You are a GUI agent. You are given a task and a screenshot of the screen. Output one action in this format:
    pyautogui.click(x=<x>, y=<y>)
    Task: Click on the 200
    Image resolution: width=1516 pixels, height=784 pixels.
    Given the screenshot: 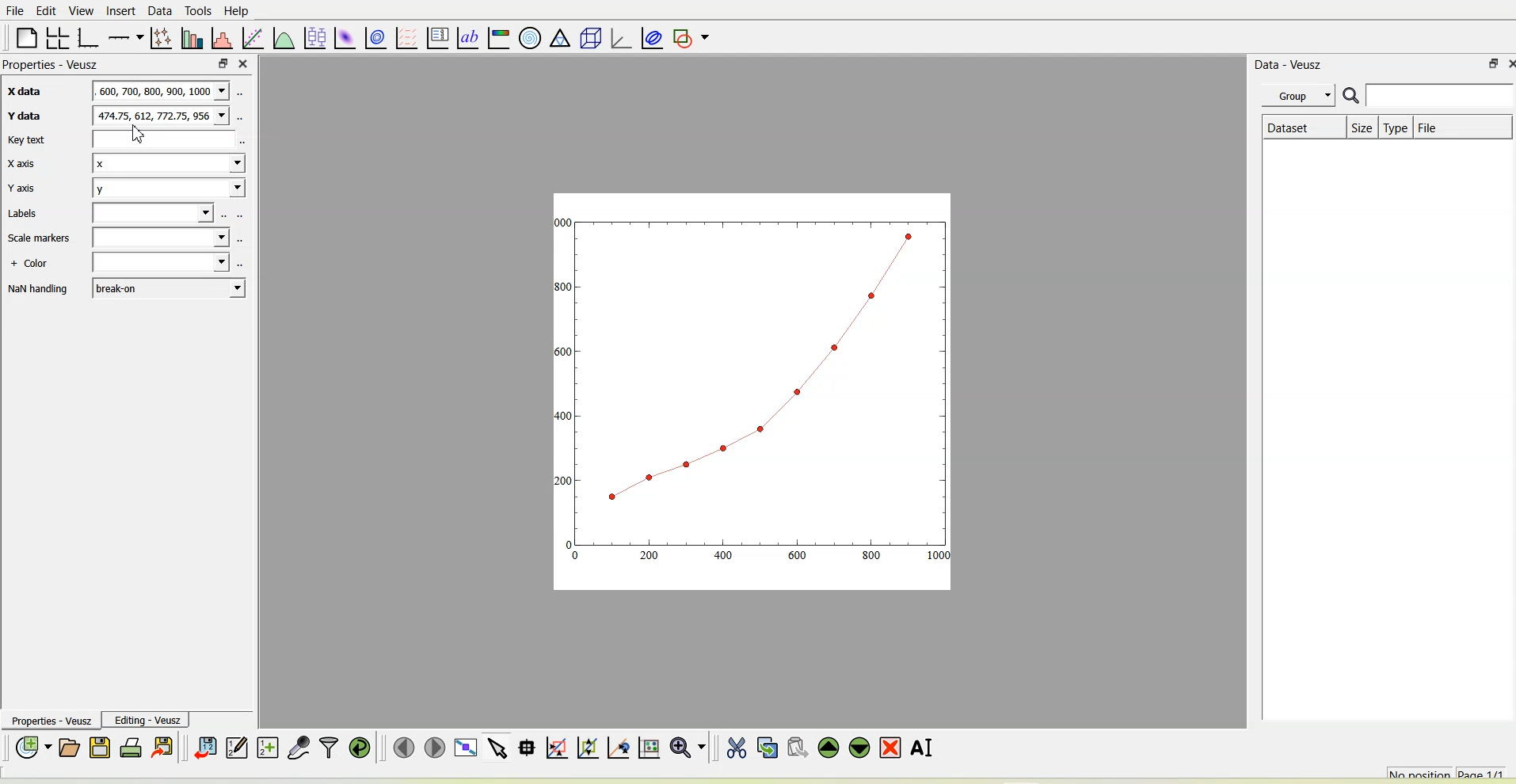 What is the action you would take?
    pyautogui.click(x=562, y=481)
    